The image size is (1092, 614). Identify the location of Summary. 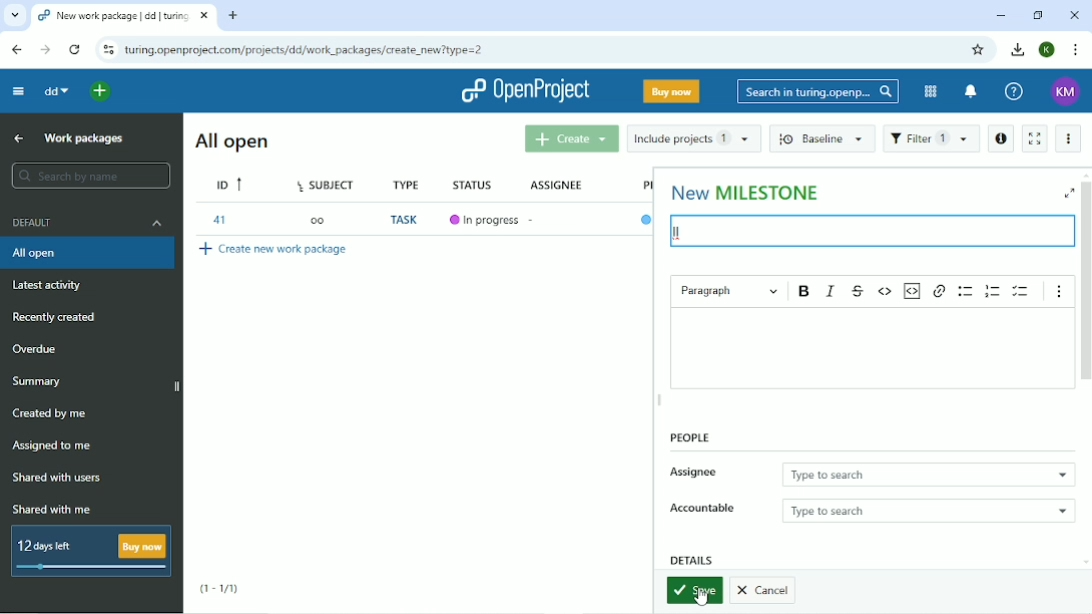
(38, 382).